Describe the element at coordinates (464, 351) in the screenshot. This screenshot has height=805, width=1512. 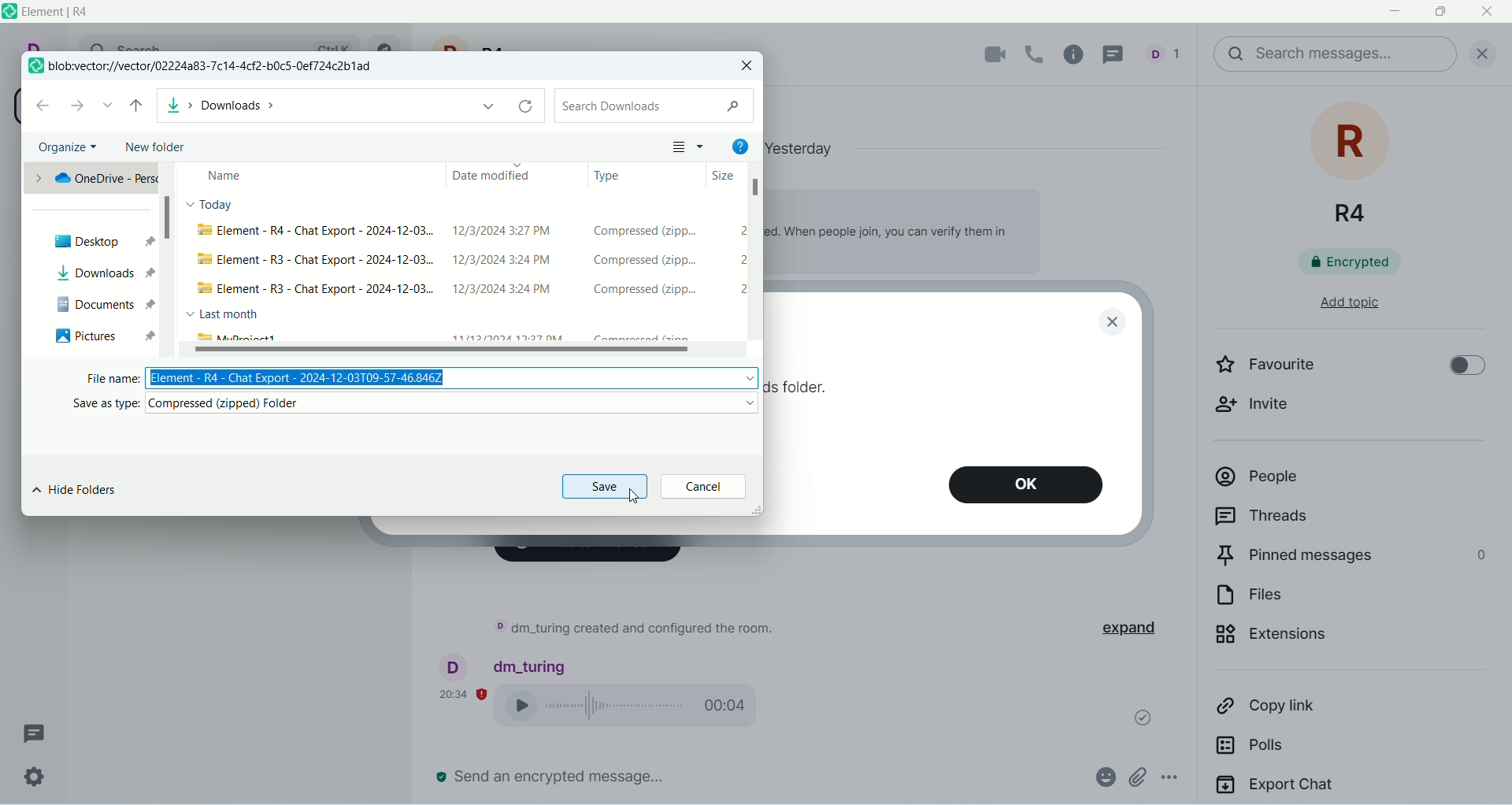
I see `horizontal scroll bar` at that location.